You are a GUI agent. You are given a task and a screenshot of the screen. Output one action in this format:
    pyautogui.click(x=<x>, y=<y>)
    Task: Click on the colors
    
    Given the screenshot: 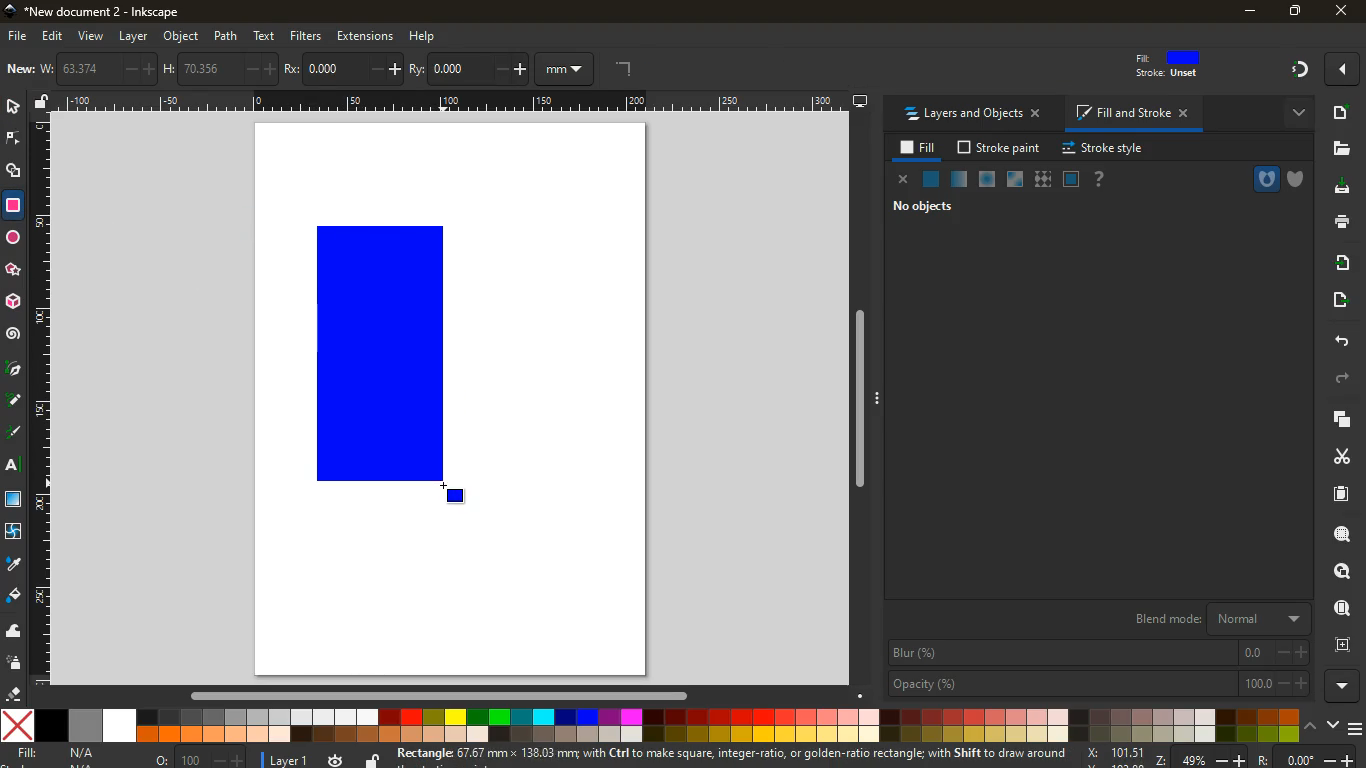 What is the action you would take?
    pyautogui.click(x=649, y=726)
    